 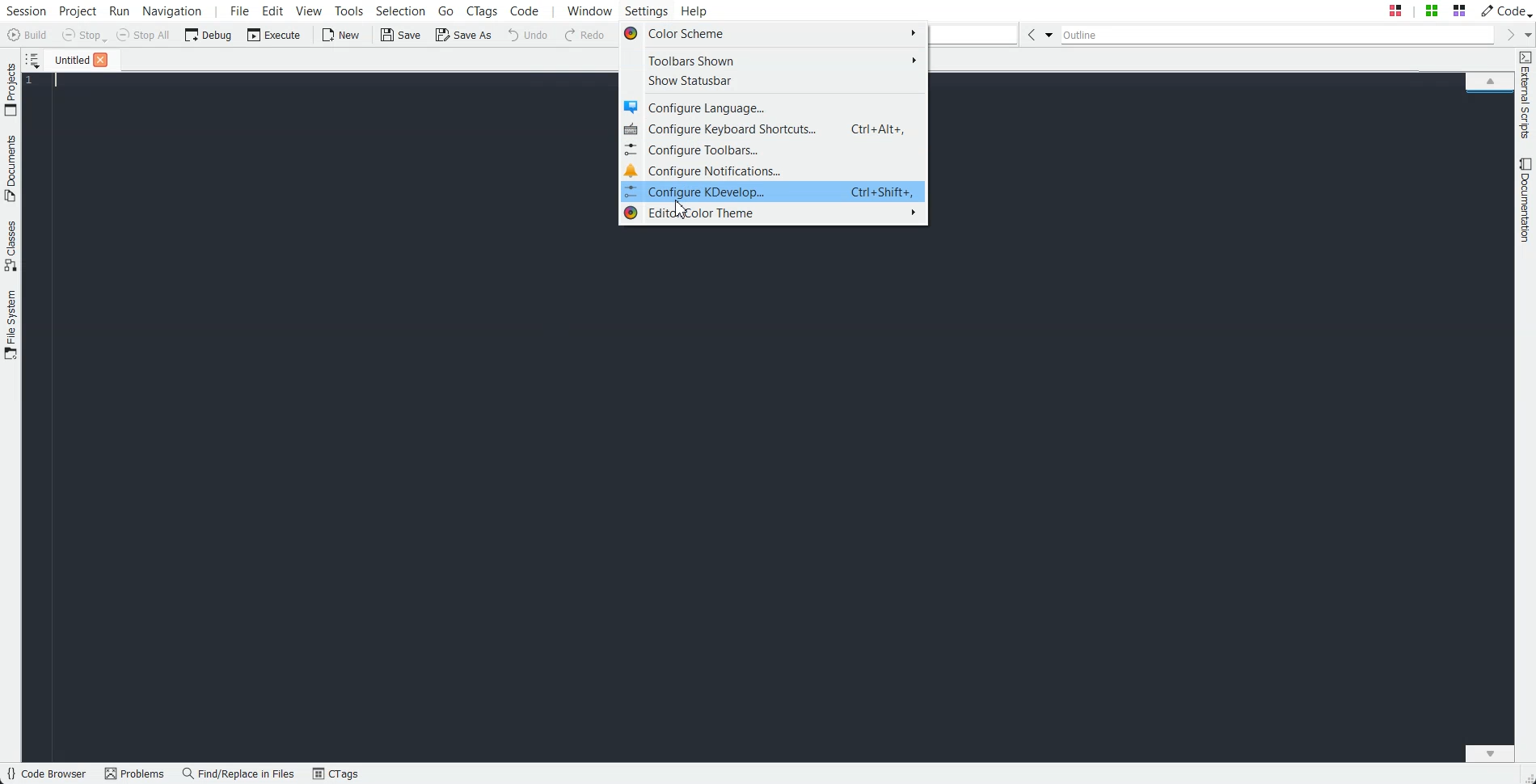 I want to click on Build, so click(x=29, y=36).